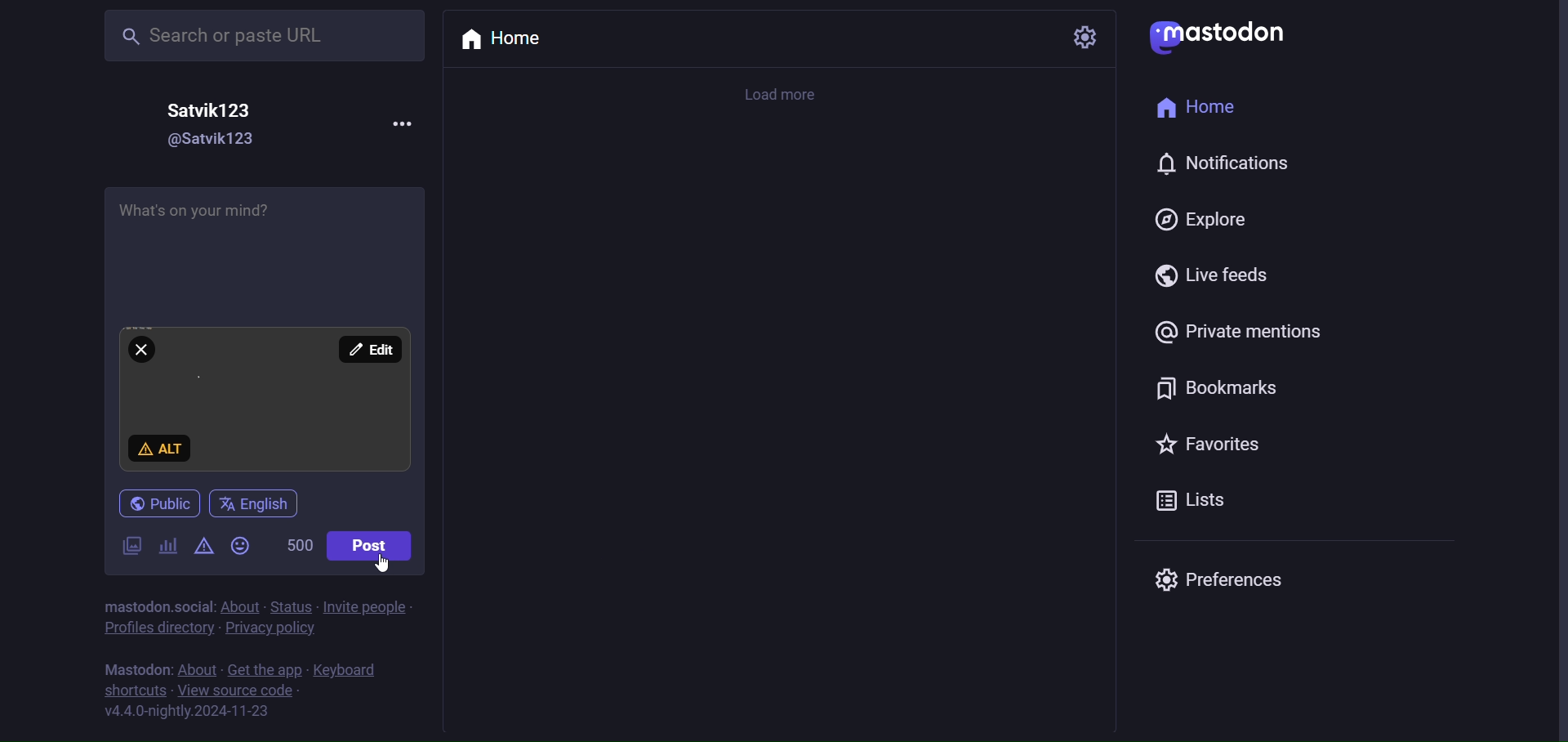 The width and height of the screenshot is (1568, 742). What do you see at coordinates (1220, 33) in the screenshot?
I see `mastodon` at bounding box center [1220, 33].